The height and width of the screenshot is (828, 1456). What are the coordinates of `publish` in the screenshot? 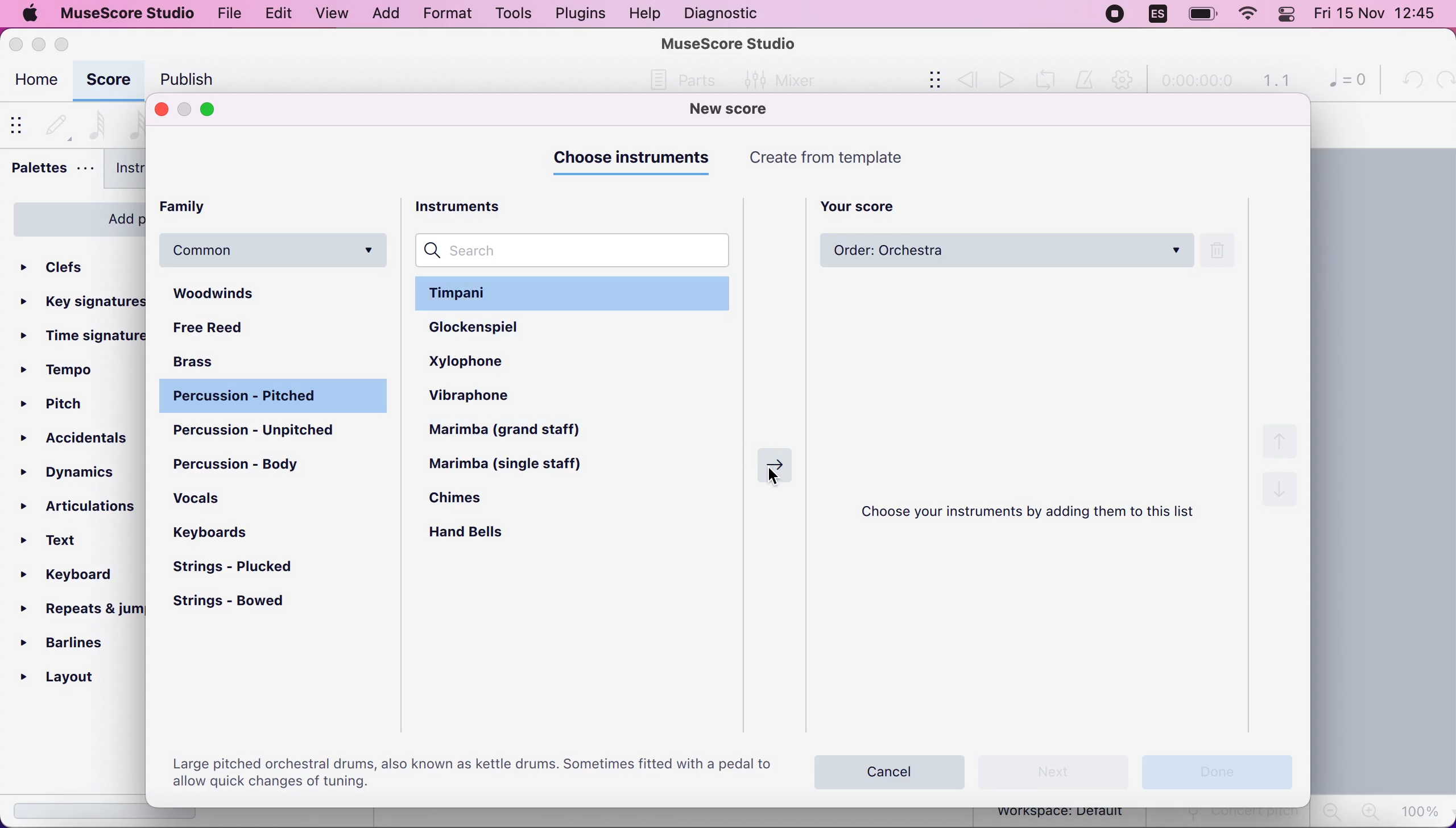 It's located at (184, 79).